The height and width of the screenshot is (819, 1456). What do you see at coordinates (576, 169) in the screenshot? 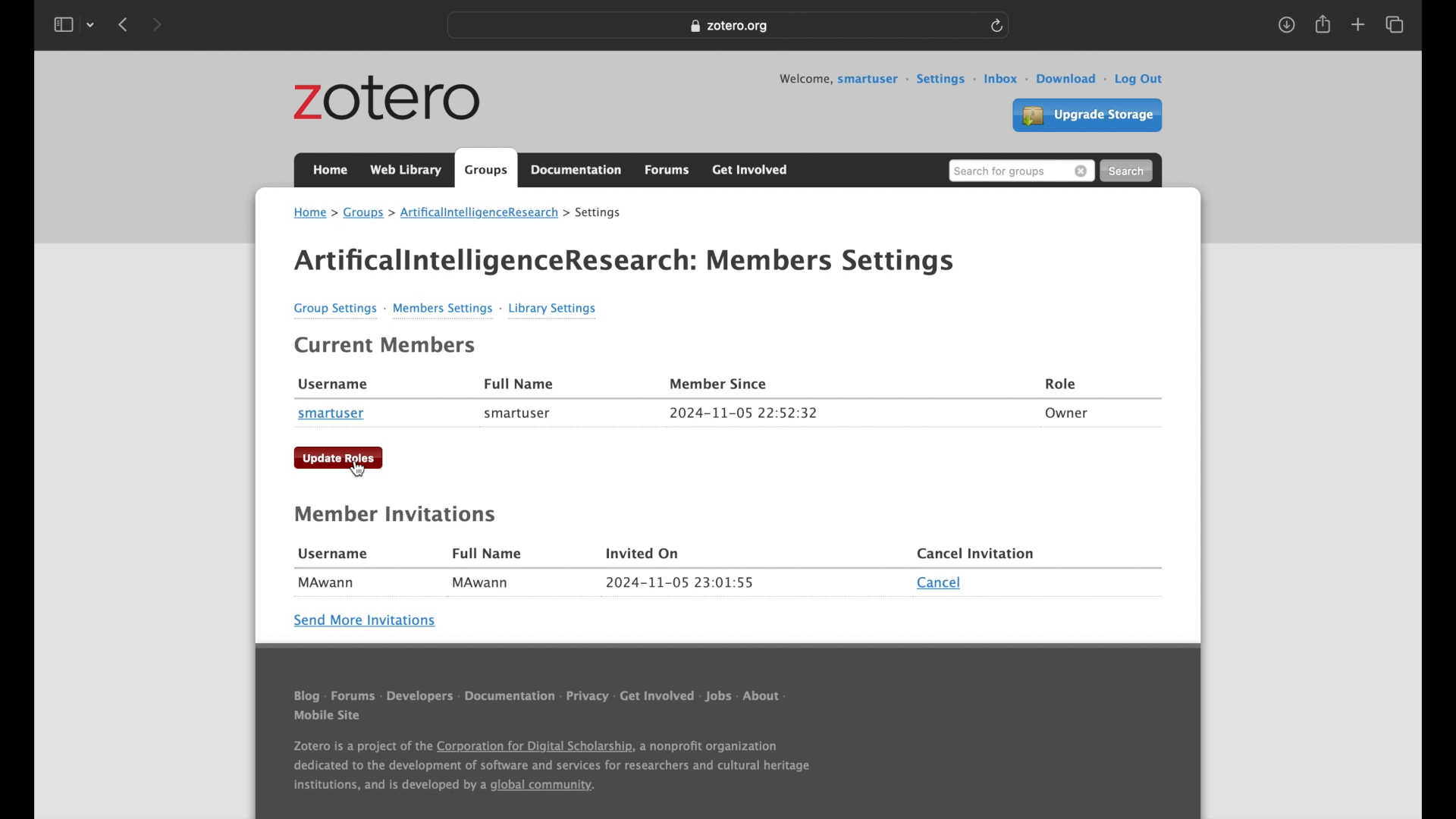
I see `documentation` at bounding box center [576, 169].